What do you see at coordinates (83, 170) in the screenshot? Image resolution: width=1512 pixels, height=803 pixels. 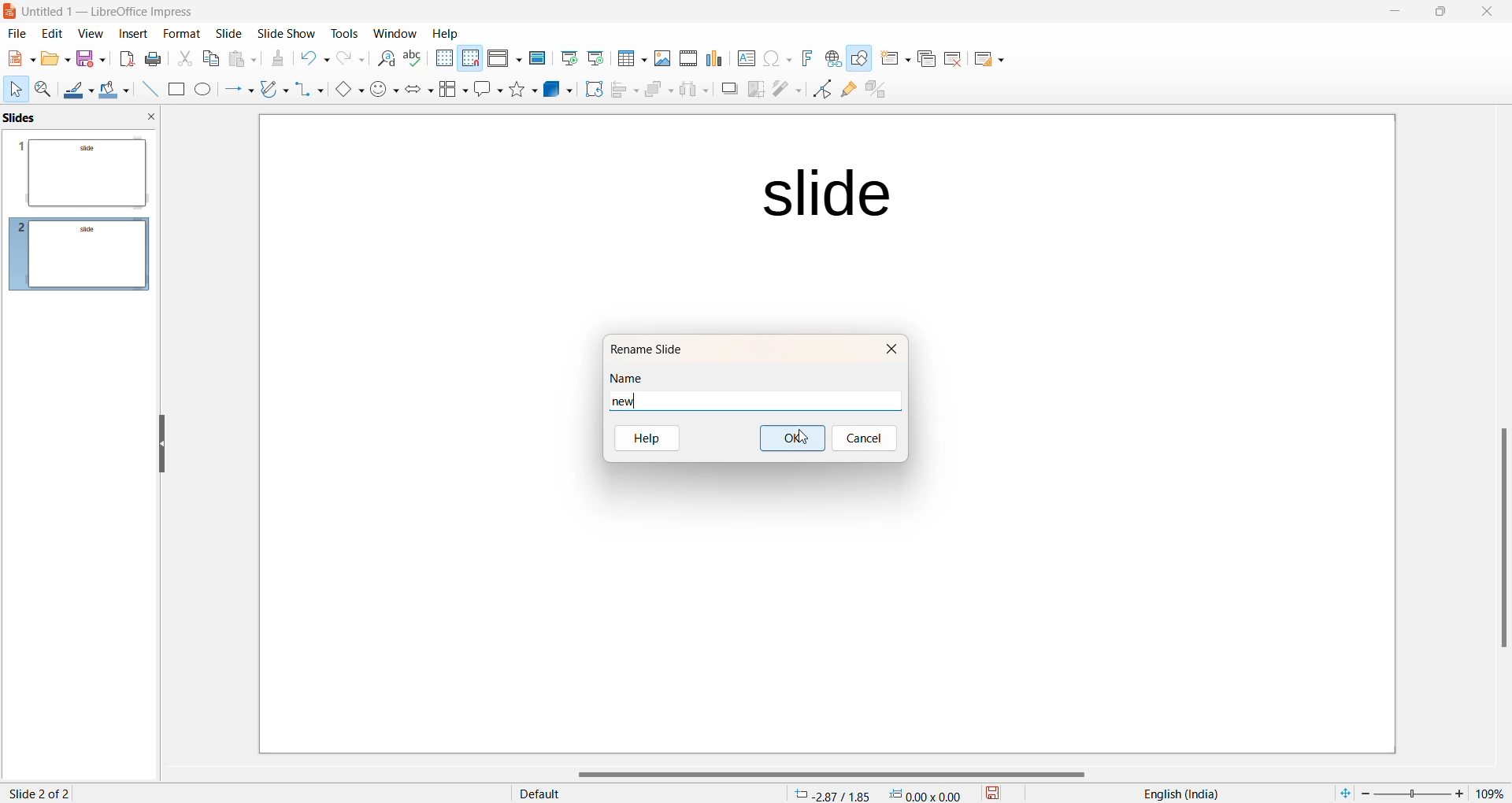 I see `slide preview` at bounding box center [83, 170].